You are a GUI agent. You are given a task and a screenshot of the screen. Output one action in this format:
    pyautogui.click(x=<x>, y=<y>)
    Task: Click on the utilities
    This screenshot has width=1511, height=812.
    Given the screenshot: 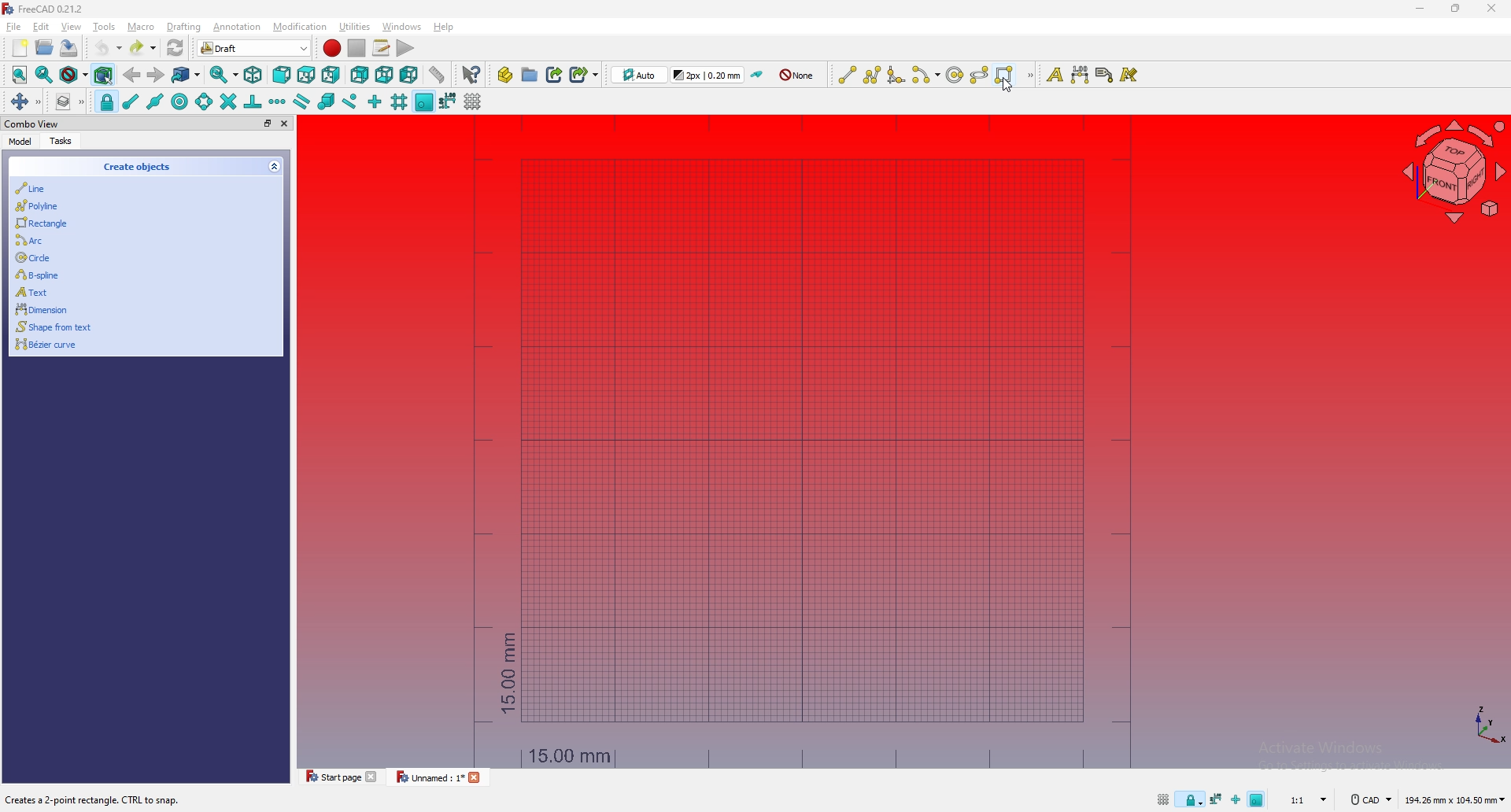 What is the action you would take?
    pyautogui.click(x=355, y=26)
    